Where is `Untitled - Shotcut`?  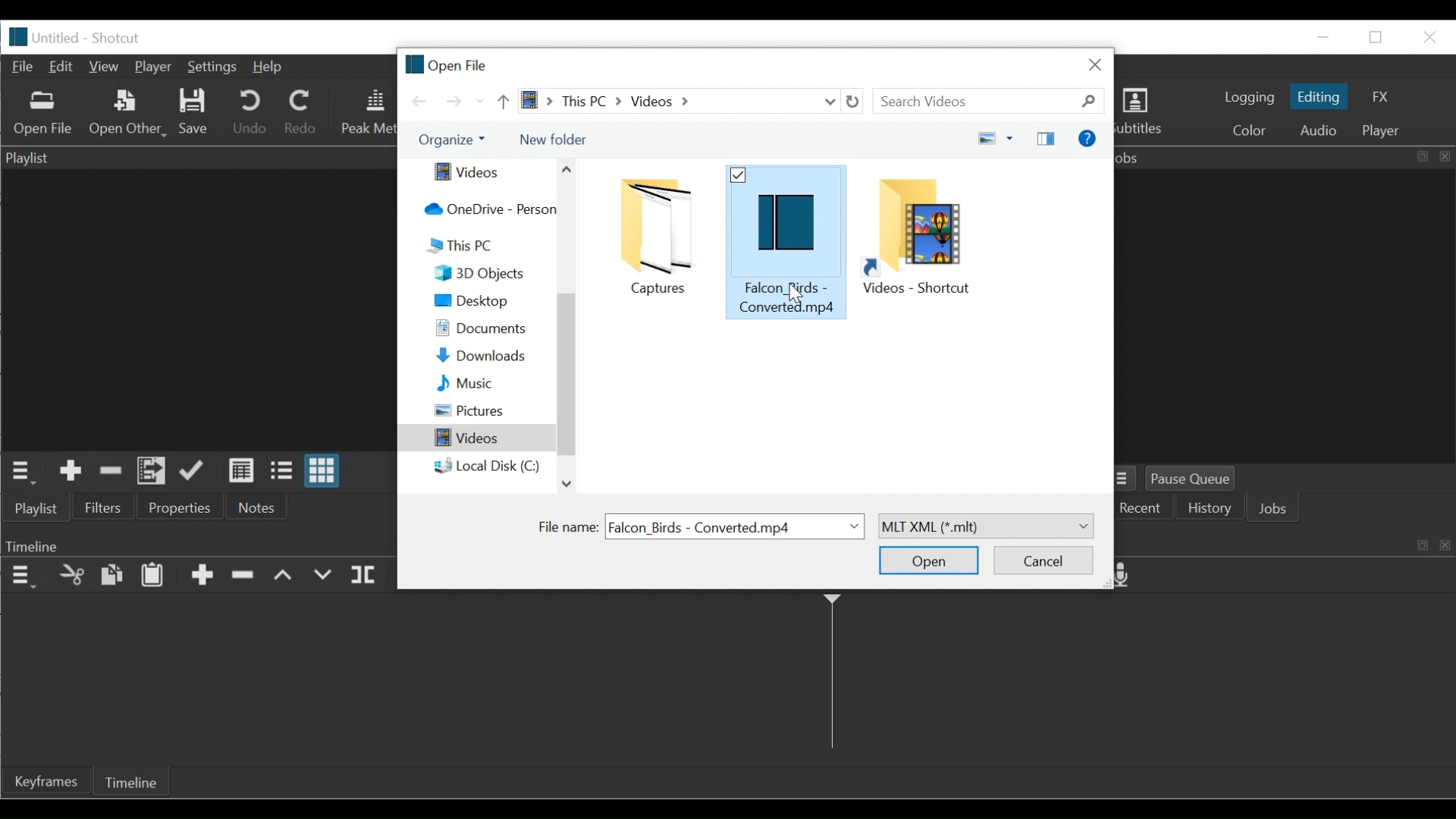
Untitled - Shotcut is located at coordinates (92, 38).